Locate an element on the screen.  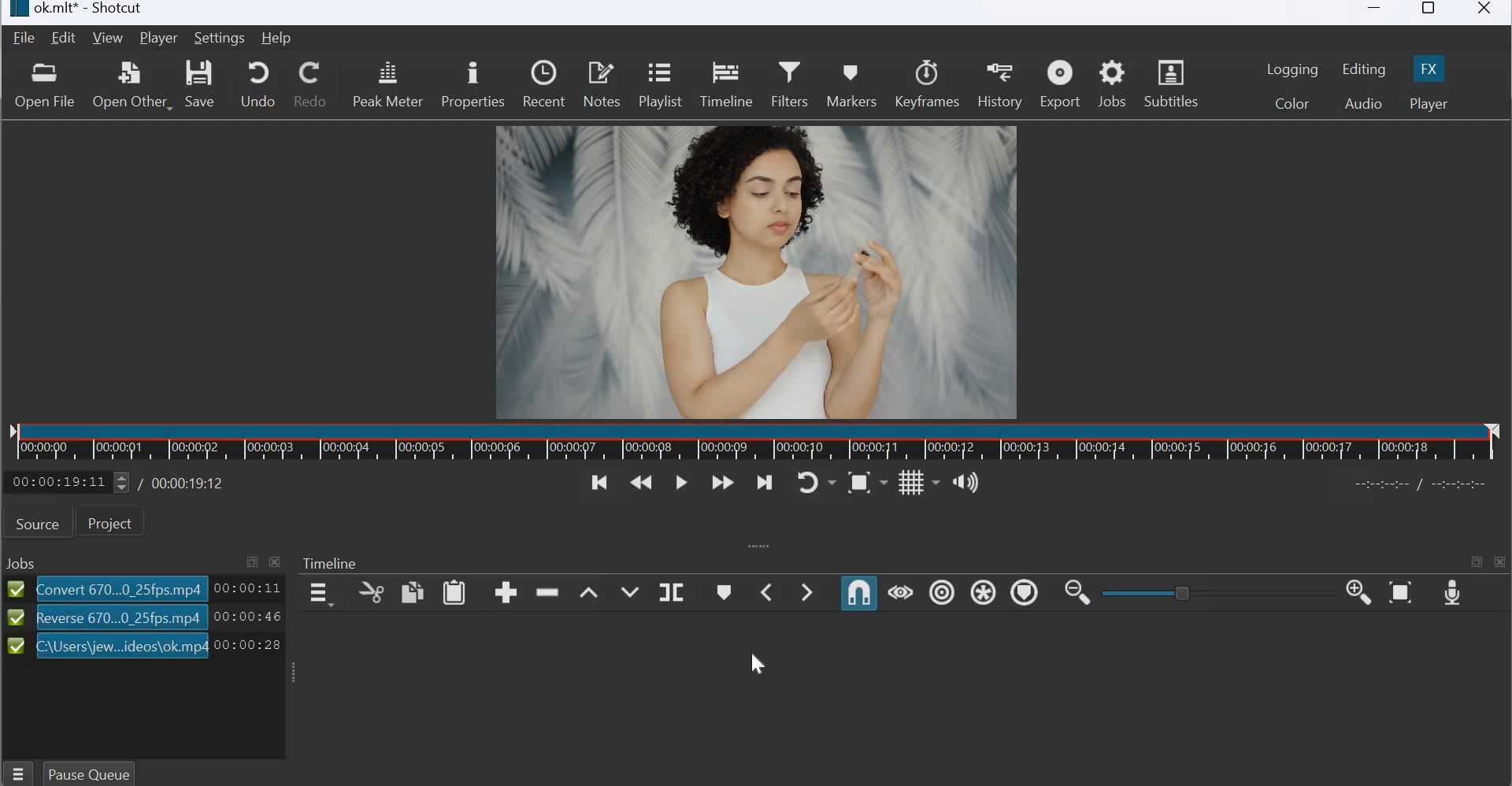
Edit is located at coordinates (65, 38).